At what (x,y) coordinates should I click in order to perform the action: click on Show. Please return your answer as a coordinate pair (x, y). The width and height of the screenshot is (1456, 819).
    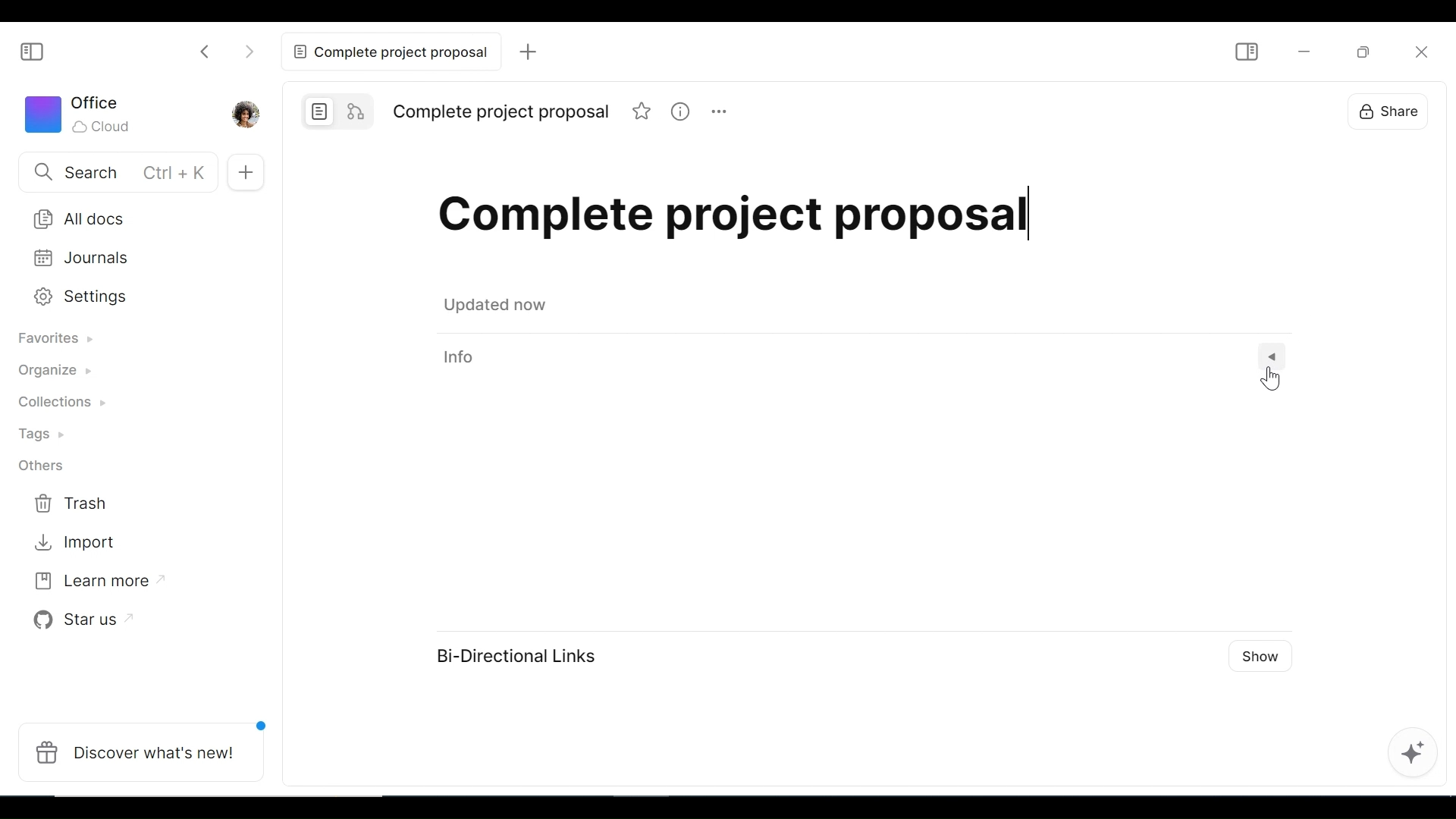
    Looking at the image, I should click on (1264, 656).